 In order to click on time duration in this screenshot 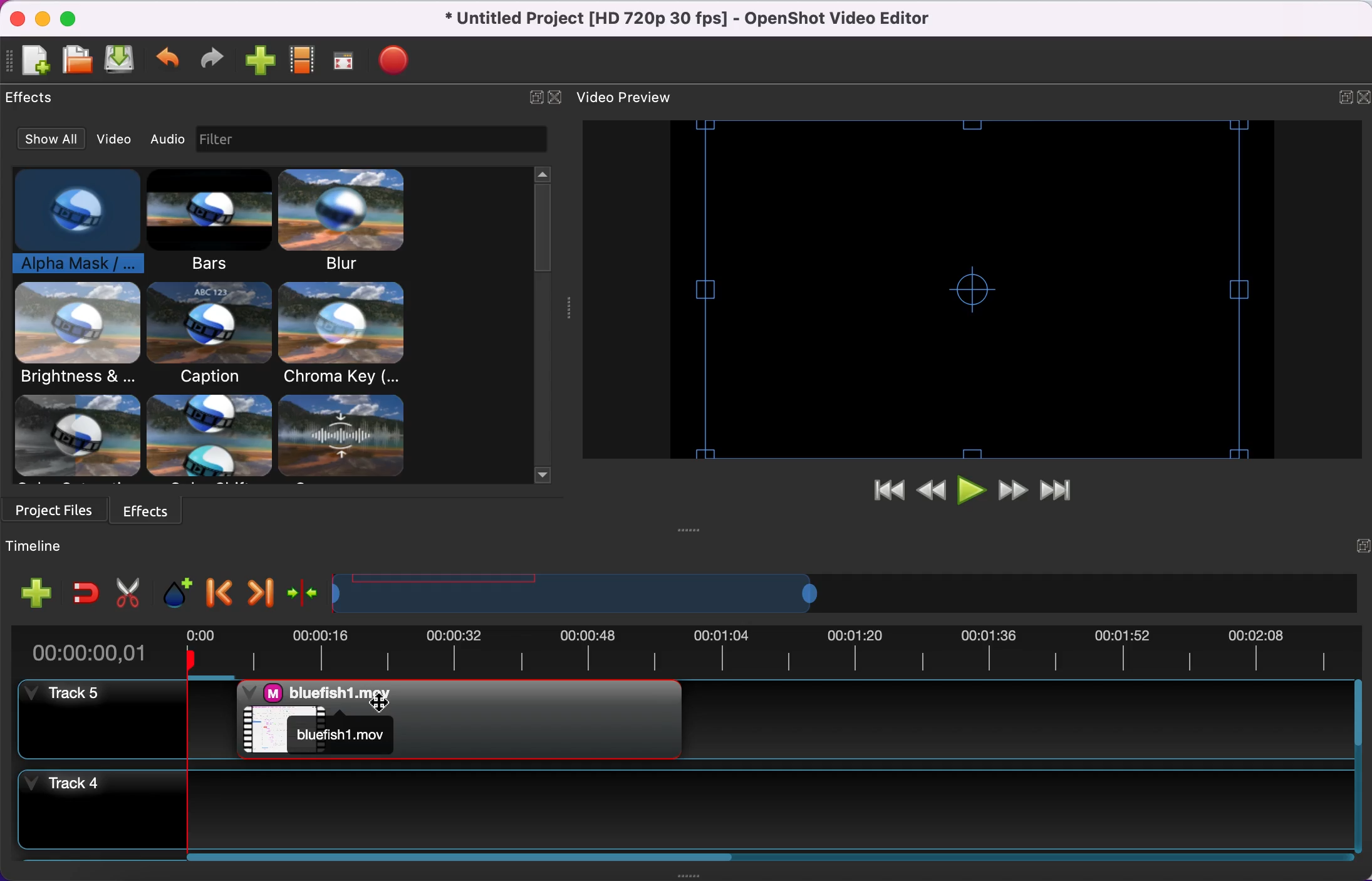, I will do `click(681, 649)`.